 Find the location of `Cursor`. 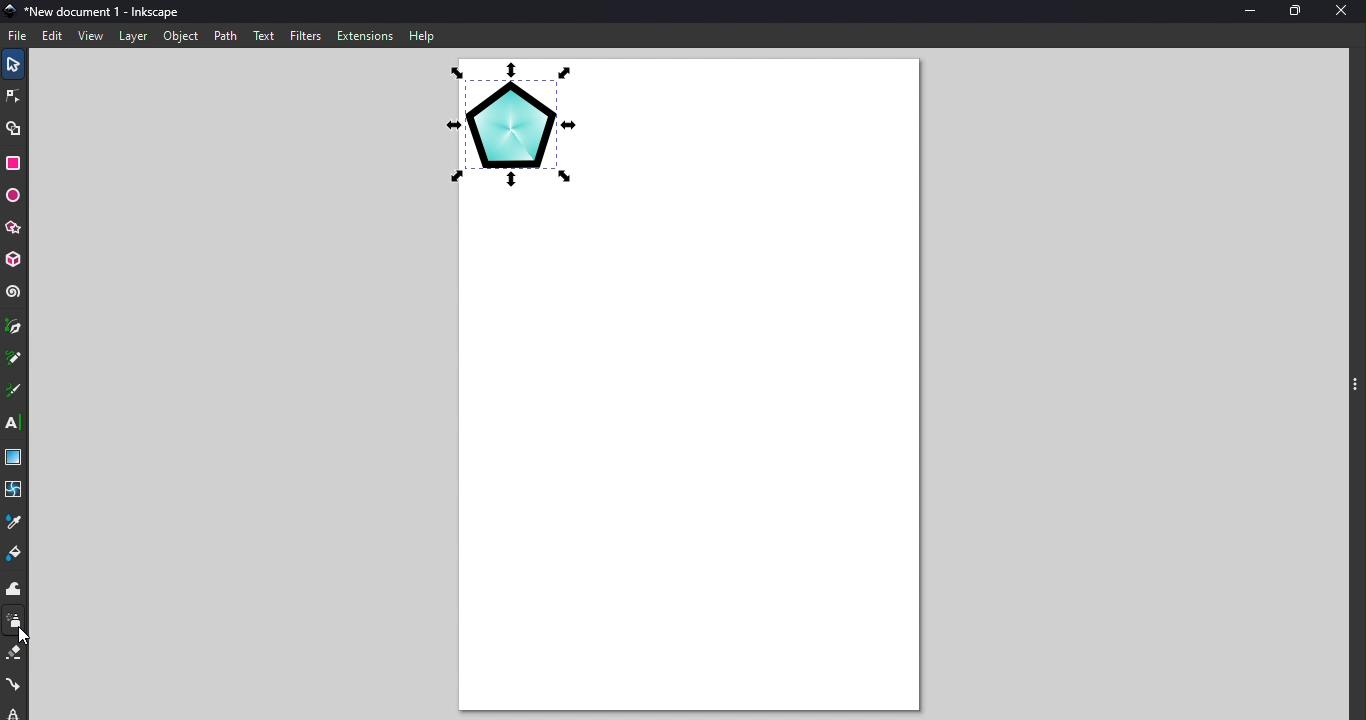

Cursor is located at coordinates (20, 637).